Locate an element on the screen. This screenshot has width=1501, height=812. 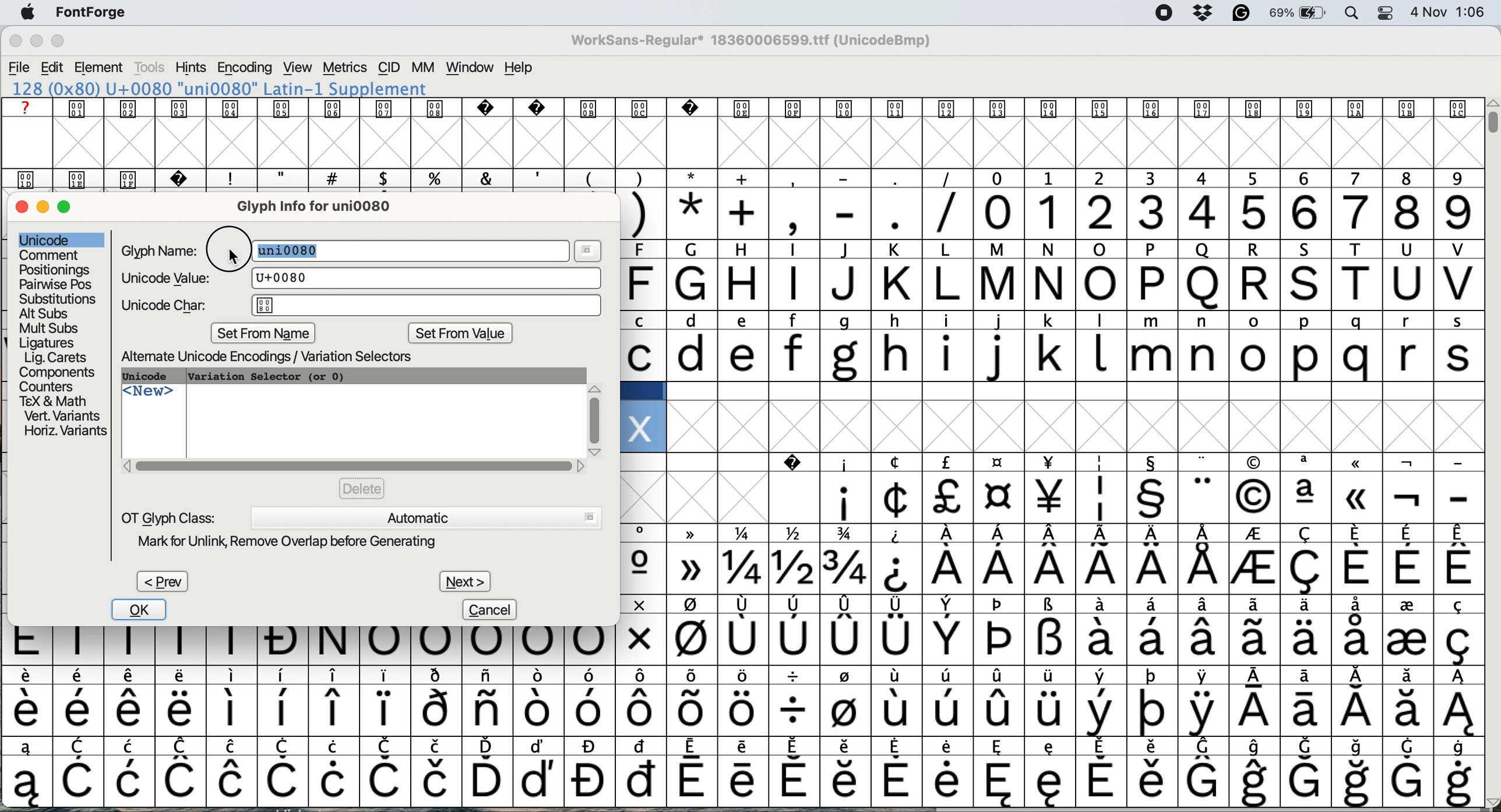
special characters is located at coordinates (792, 213).